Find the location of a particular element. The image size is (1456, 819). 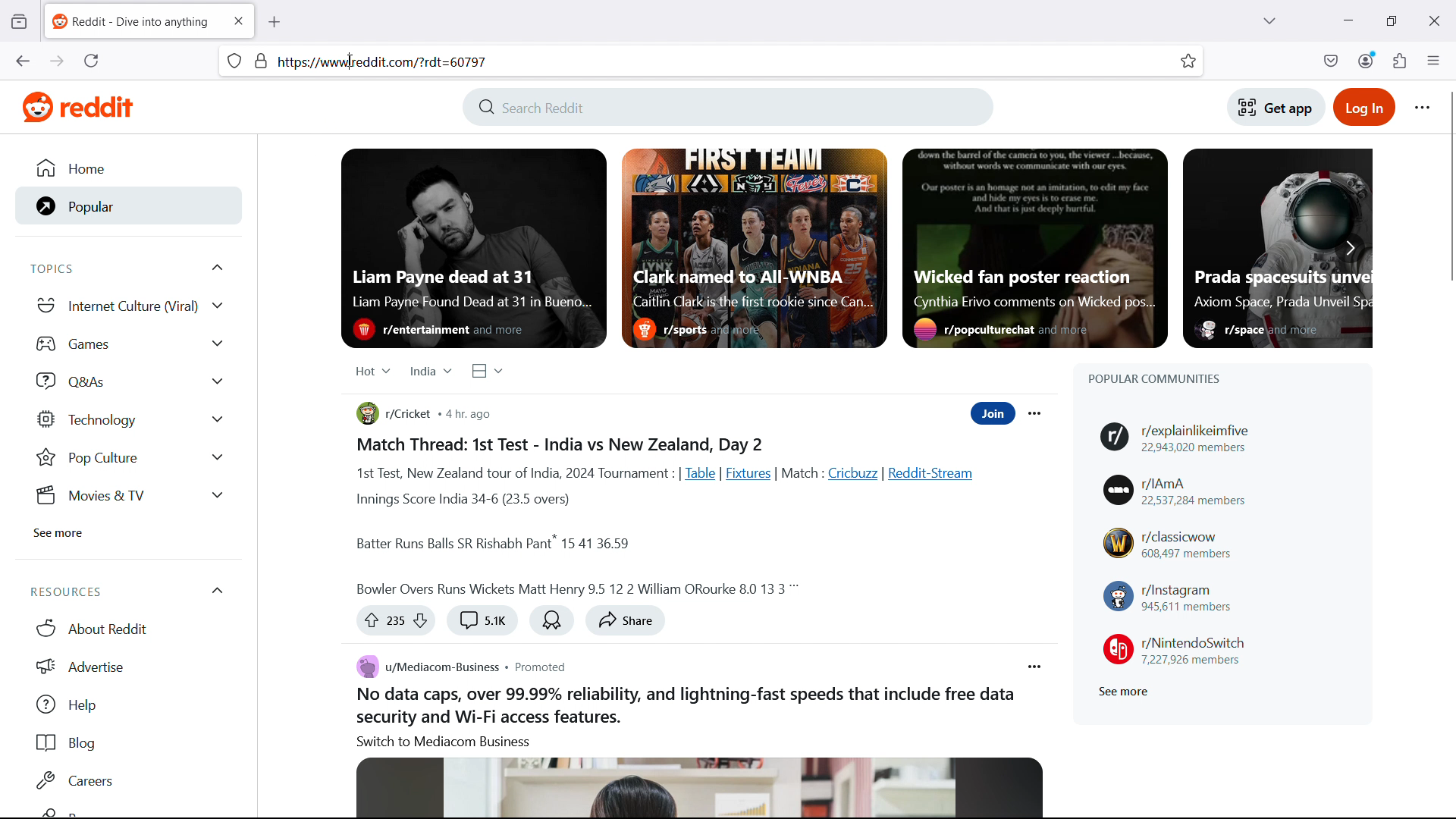

account is located at coordinates (1367, 59).